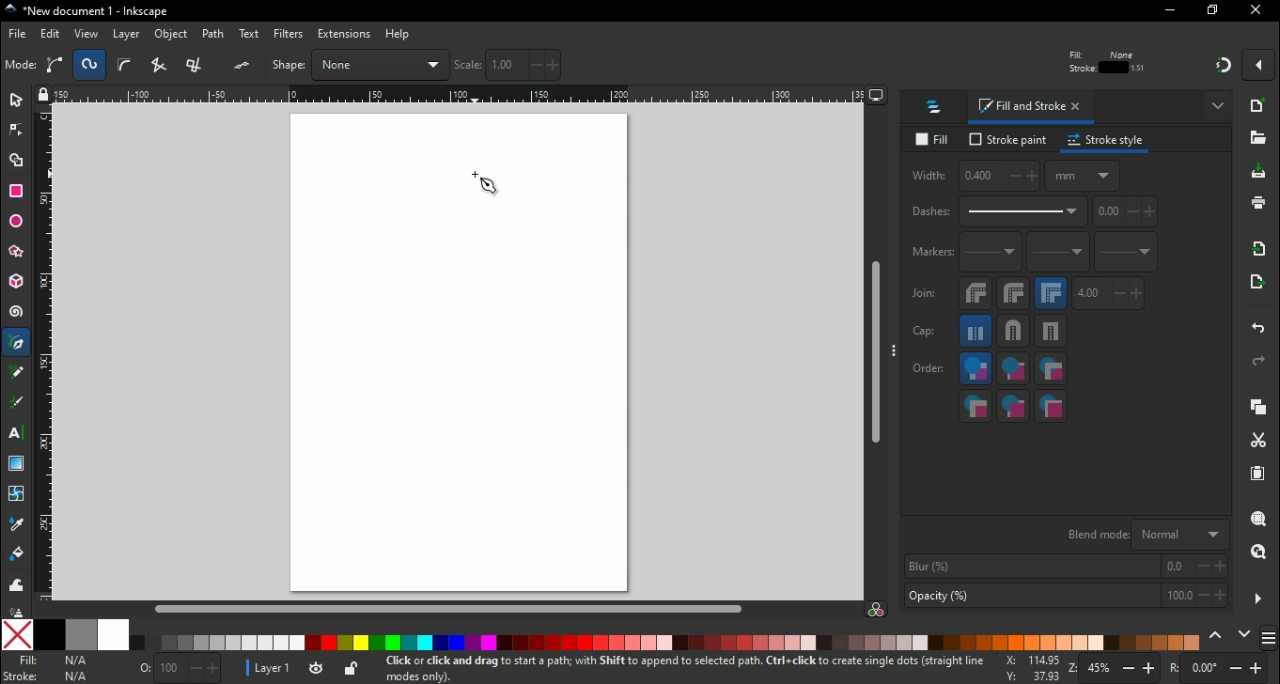 This screenshot has height=684, width=1280. What do you see at coordinates (937, 112) in the screenshot?
I see `layers and objects` at bounding box center [937, 112].